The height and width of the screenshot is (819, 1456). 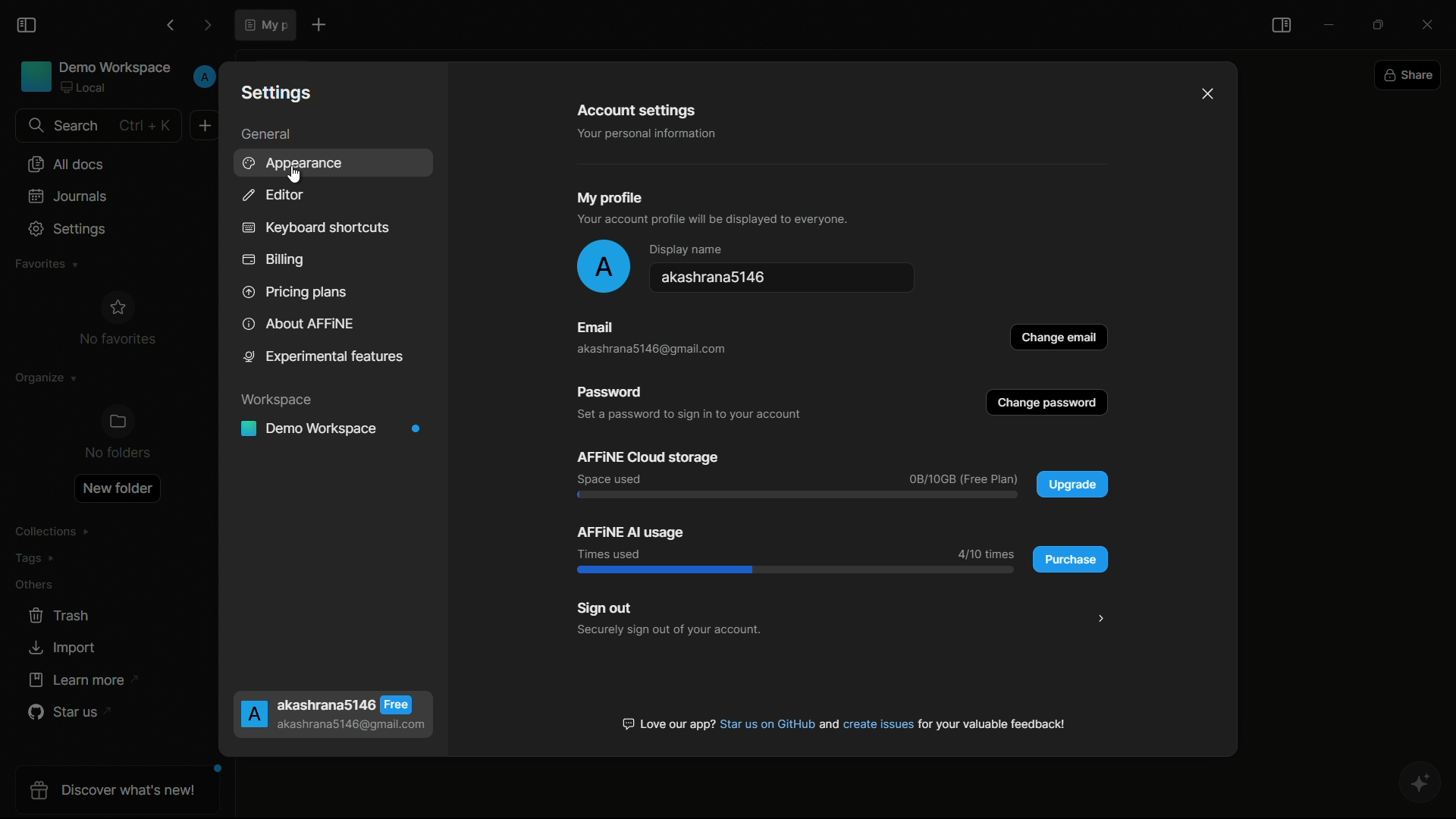 What do you see at coordinates (640, 133) in the screenshot?
I see `Your personal information` at bounding box center [640, 133].